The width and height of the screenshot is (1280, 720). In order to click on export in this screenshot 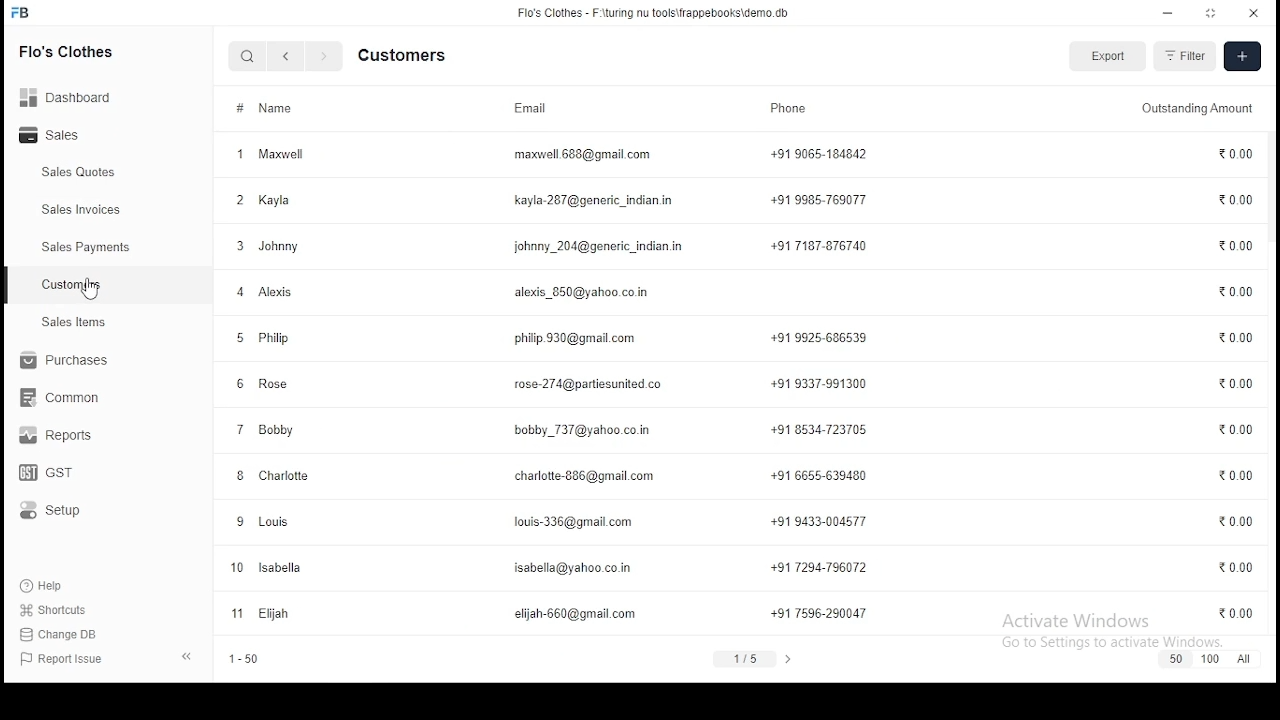, I will do `click(1110, 56)`.